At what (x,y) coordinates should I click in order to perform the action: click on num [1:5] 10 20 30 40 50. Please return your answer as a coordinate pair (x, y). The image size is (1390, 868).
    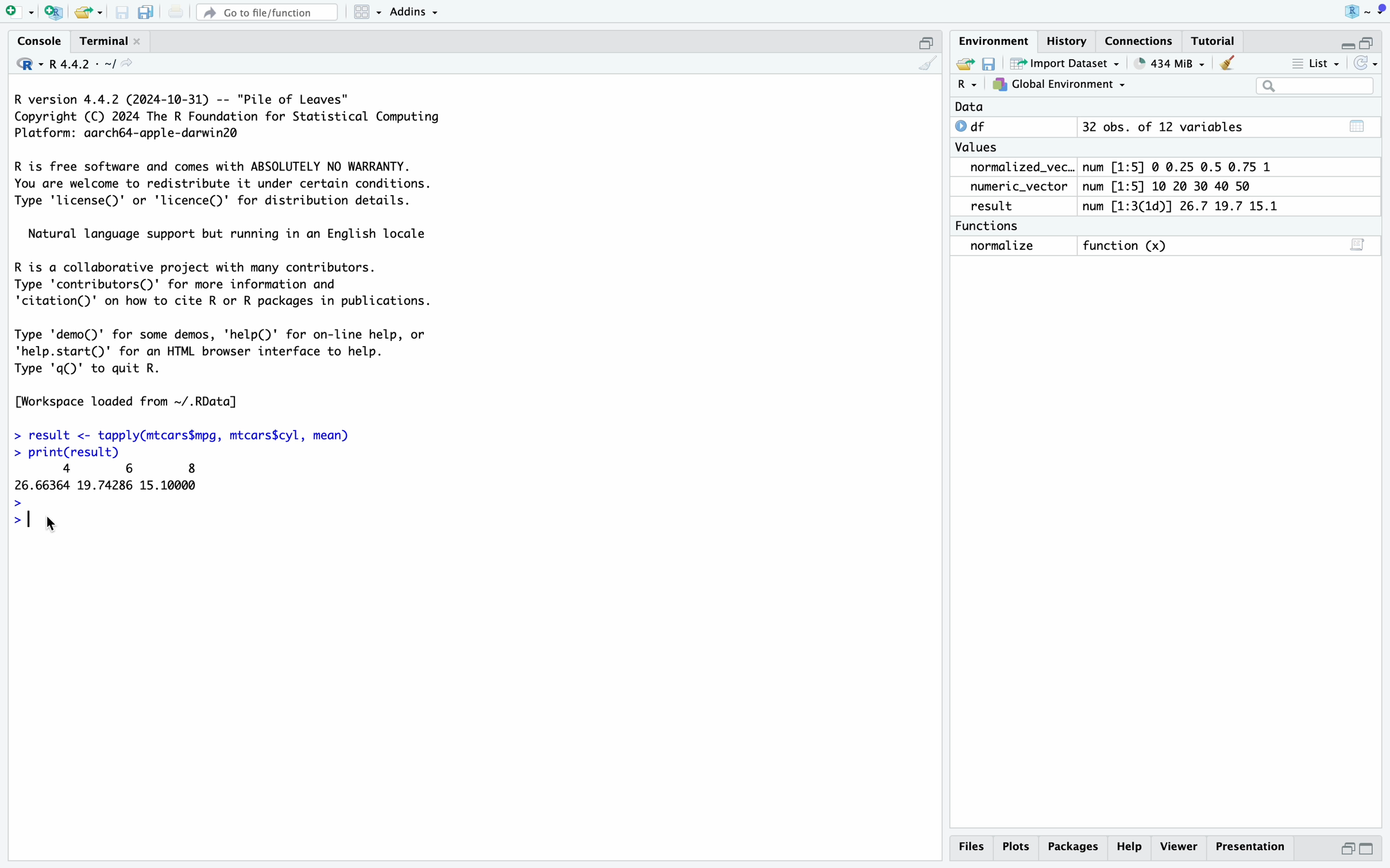
    Looking at the image, I should click on (1169, 186).